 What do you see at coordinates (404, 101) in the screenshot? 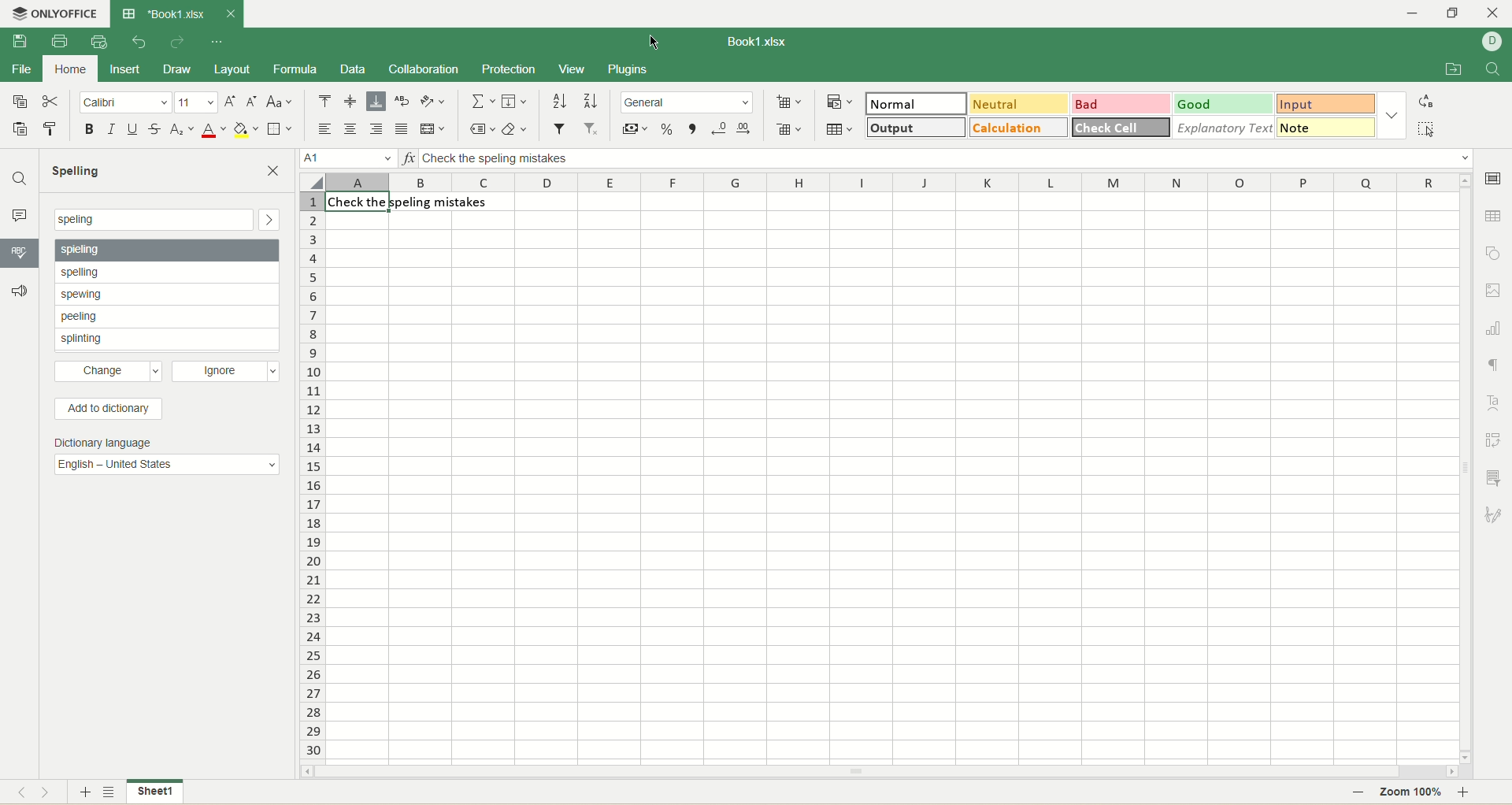
I see `wrap text` at bounding box center [404, 101].